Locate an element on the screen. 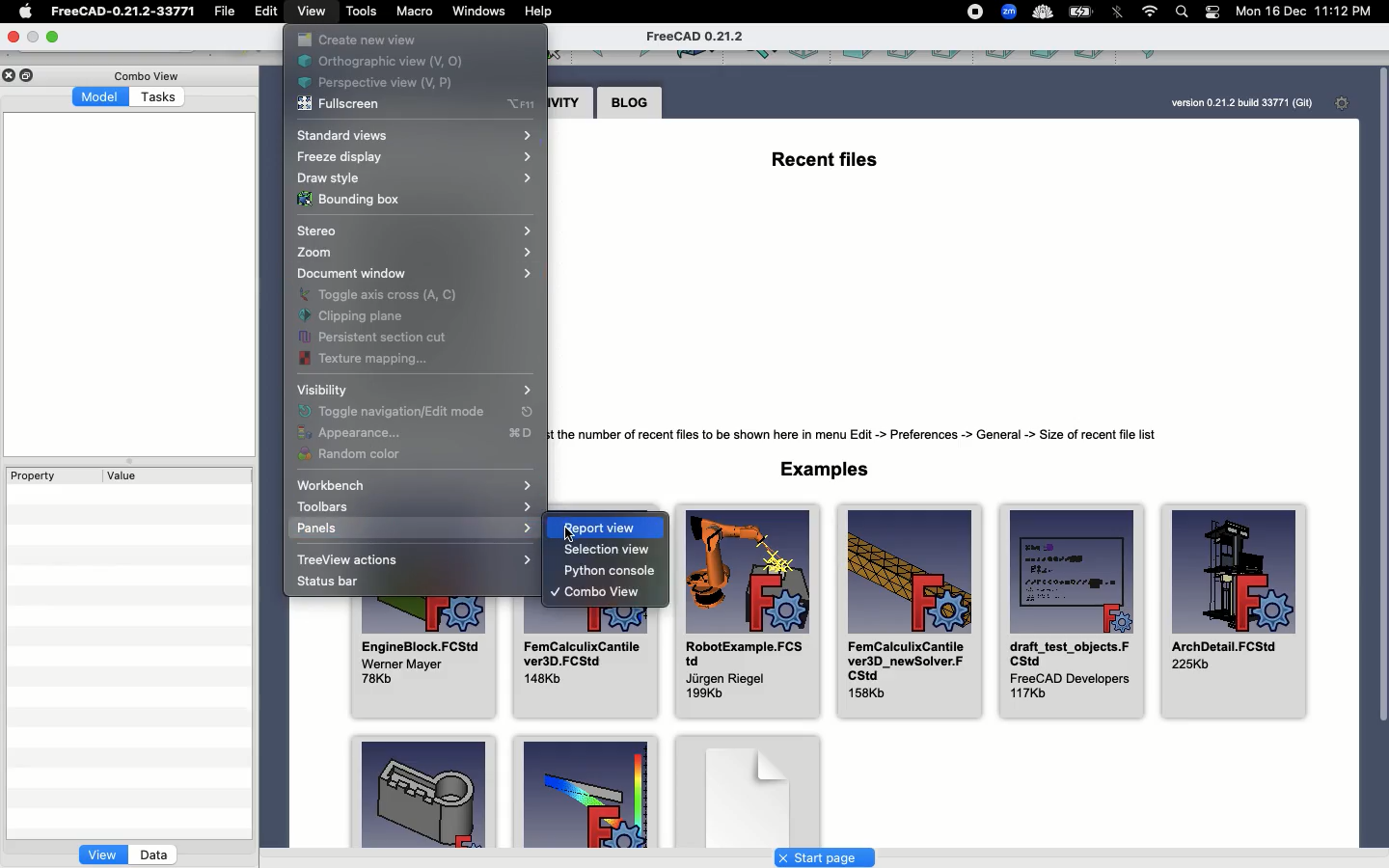 The height and width of the screenshot is (868, 1389). RobotExample.FCStd Jiirgen Riegel 199Kb is located at coordinates (746, 612).